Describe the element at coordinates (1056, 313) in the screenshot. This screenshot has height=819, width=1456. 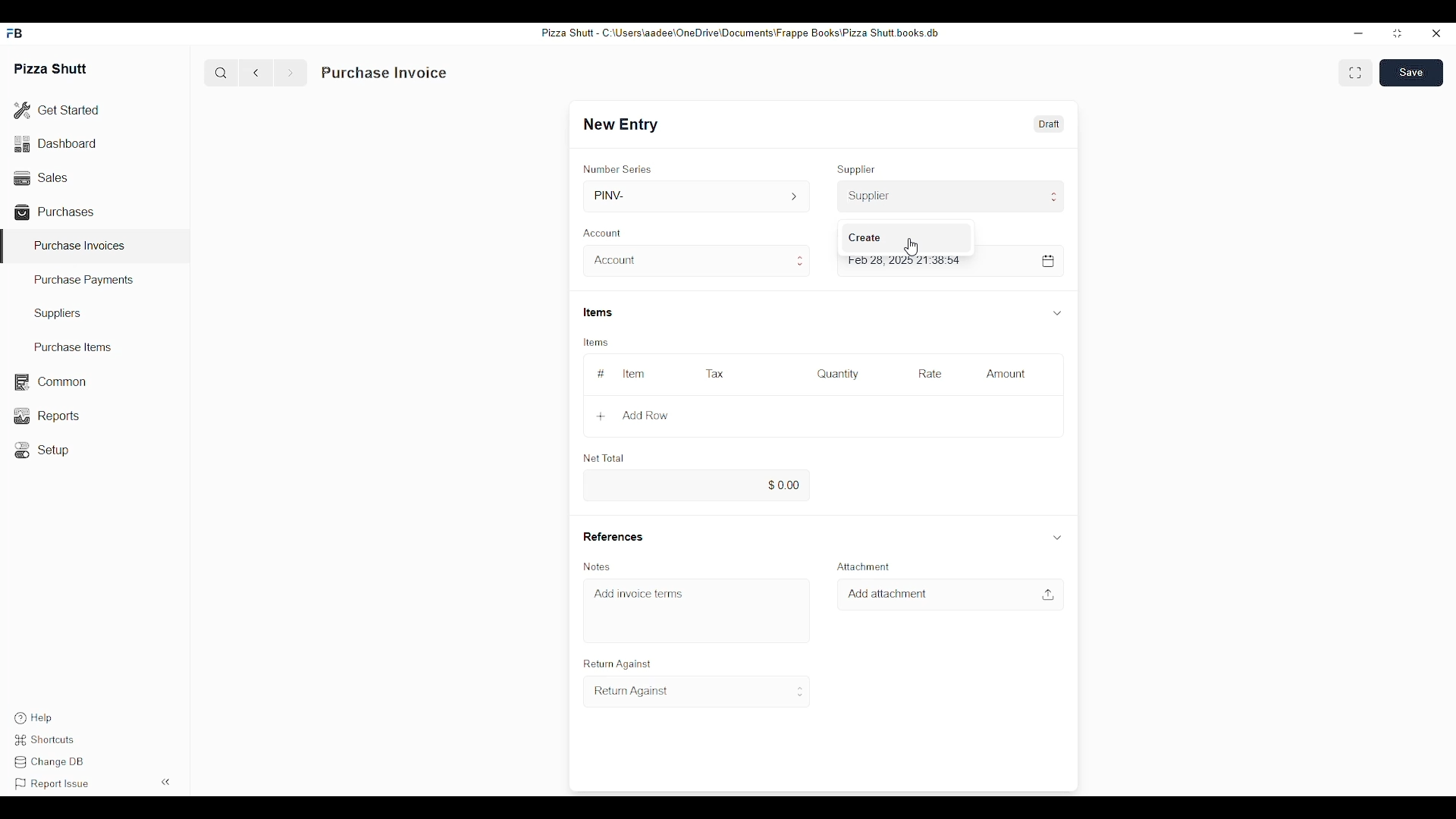
I see `down` at that location.